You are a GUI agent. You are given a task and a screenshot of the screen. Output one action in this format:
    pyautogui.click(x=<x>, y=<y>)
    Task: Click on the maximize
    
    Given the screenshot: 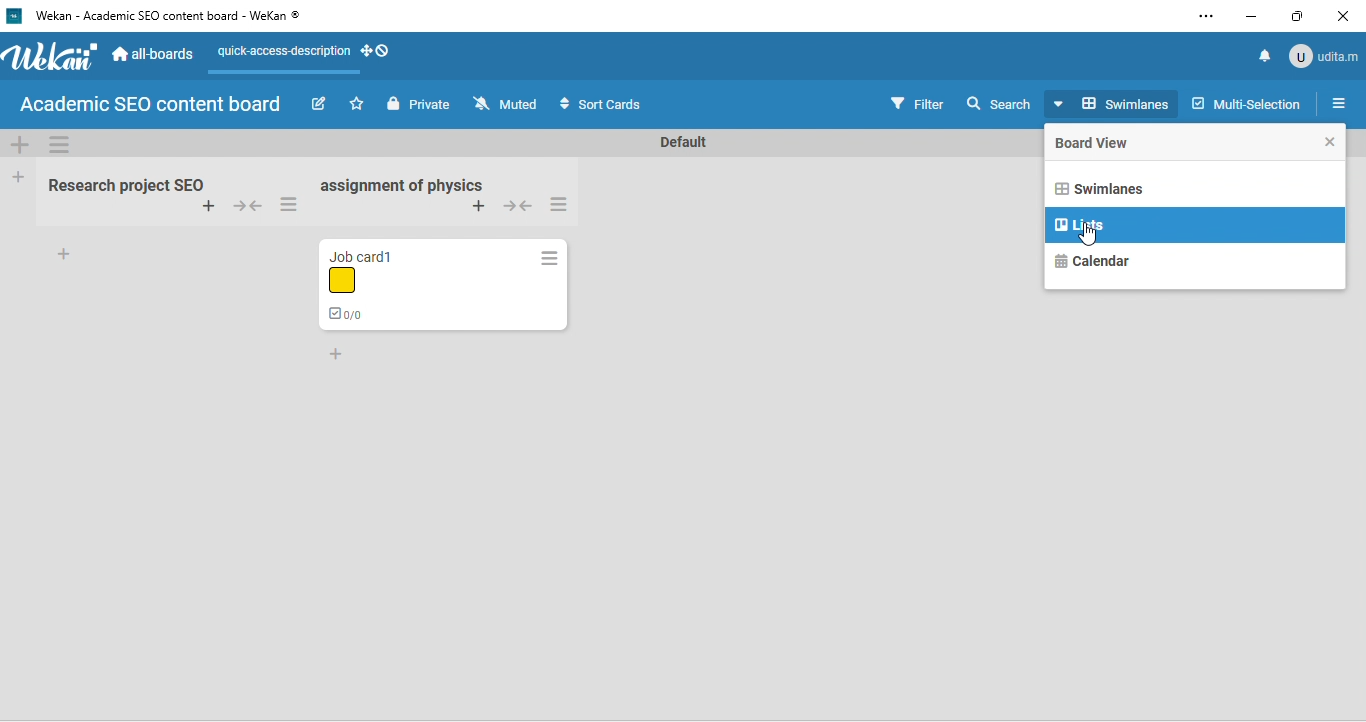 What is the action you would take?
    pyautogui.click(x=1298, y=16)
    